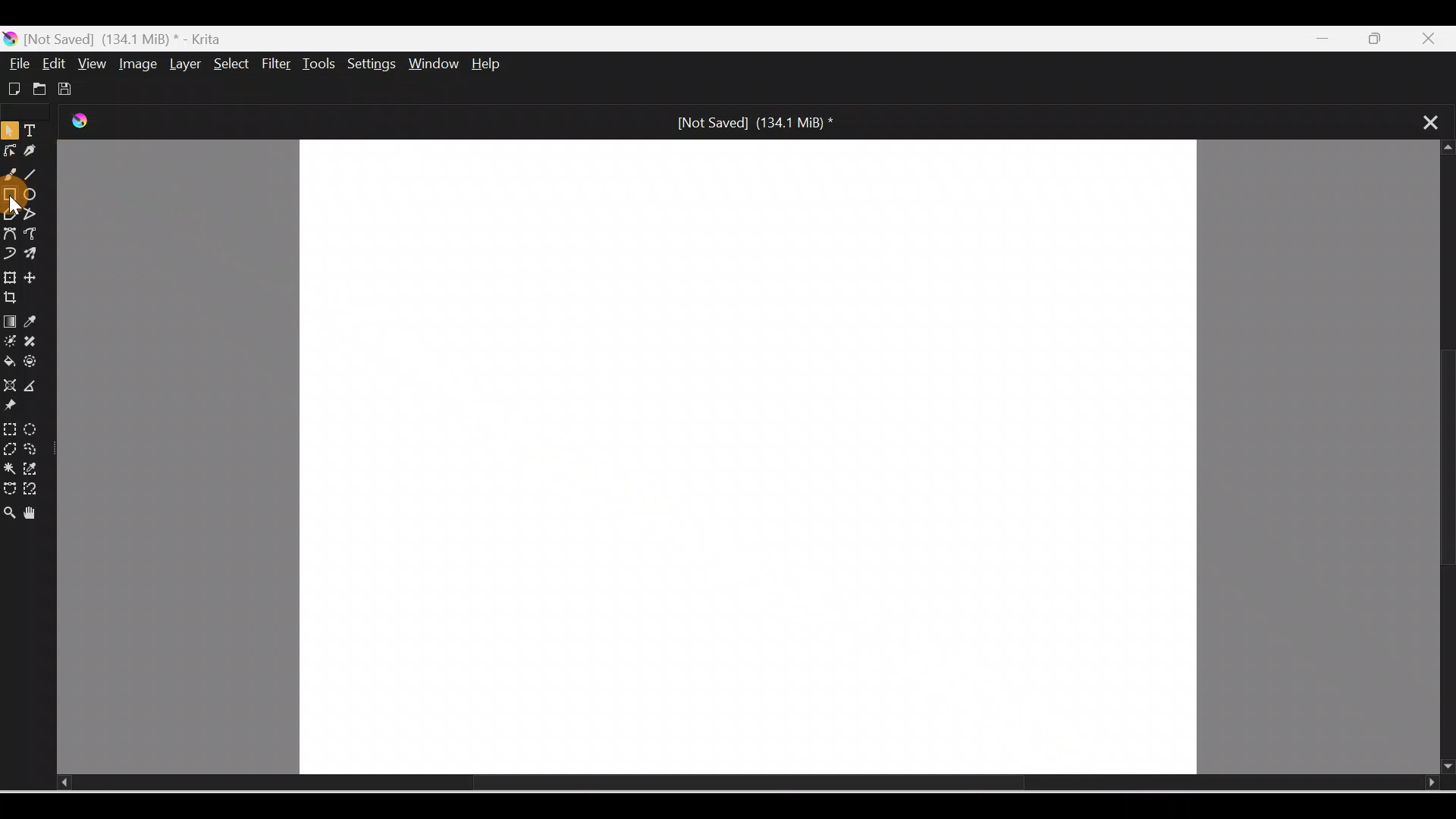 This screenshot has height=819, width=1456. What do you see at coordinates (36, 365) in the screenshot?
I see `Enclose and fill tool` at bounding box center [36, 365].